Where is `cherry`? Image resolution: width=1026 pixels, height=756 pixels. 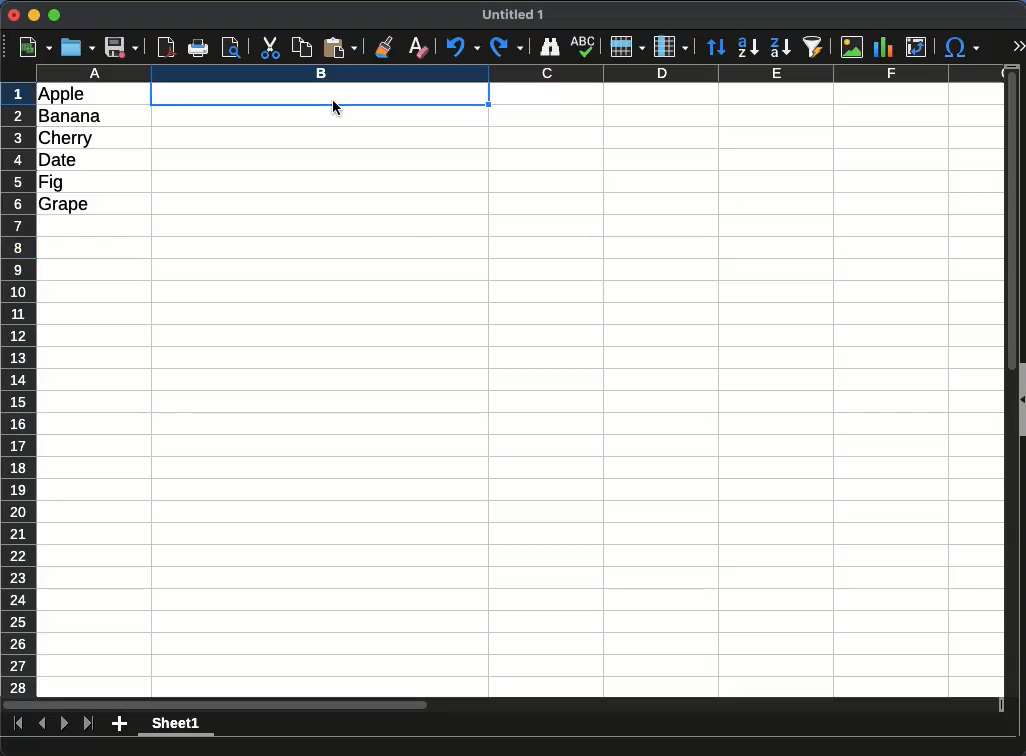 cherry is located at coordinates (66, 139).